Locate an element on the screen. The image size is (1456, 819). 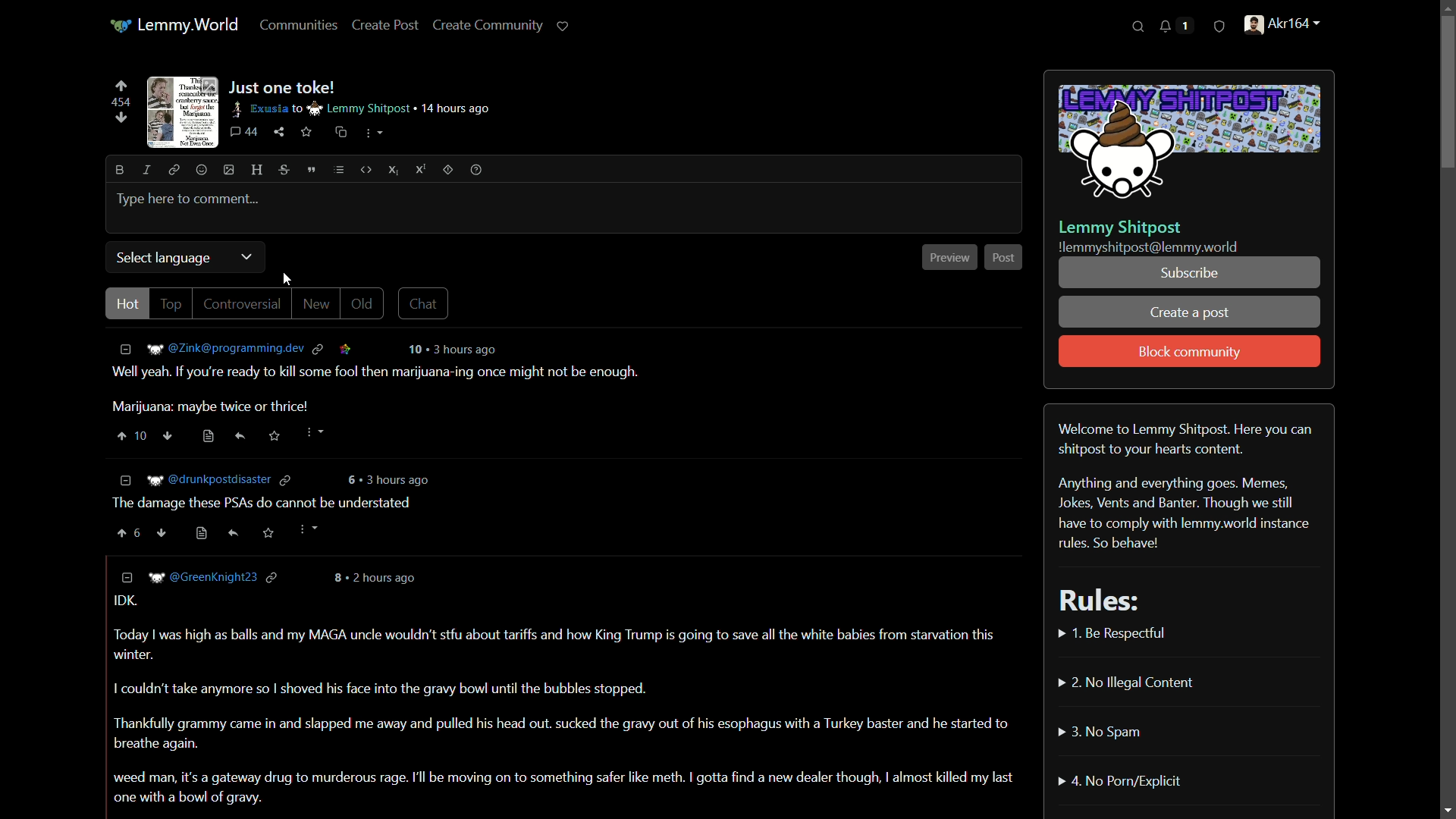
outlier is located at coordinates (447, 170).